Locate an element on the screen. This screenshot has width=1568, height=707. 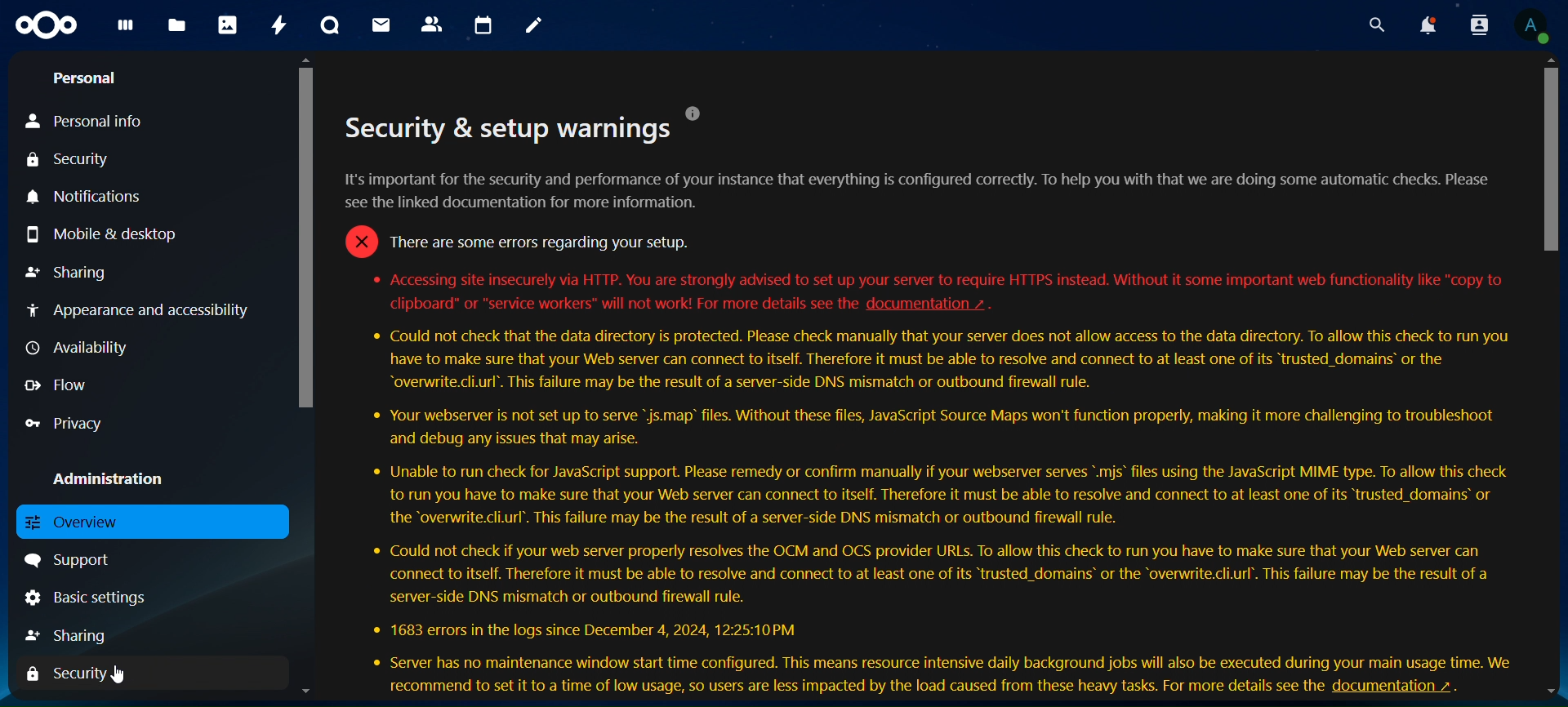
appearance and accessibilty is located at coordinates (142, 309).